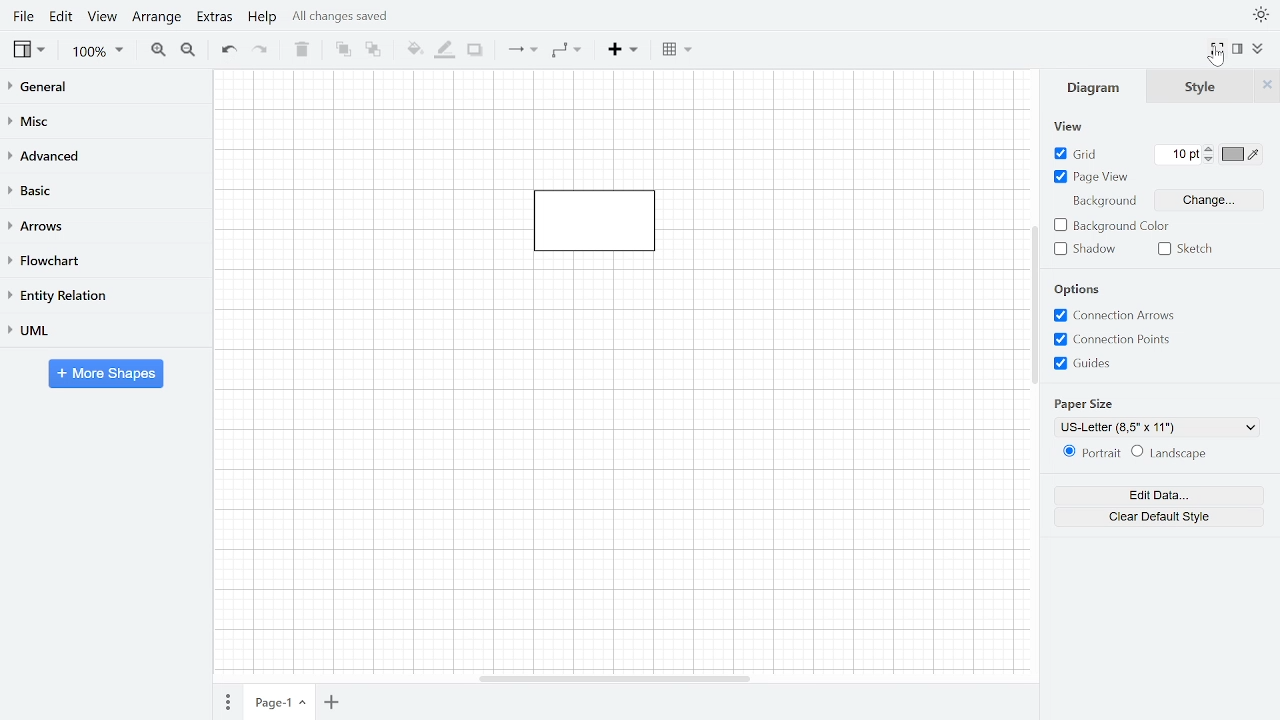 The width and height of the screenshot is (1280, 720). Describe the element at coordinates (603, 231) in the screenshot. I see `Current diagram` at that location.